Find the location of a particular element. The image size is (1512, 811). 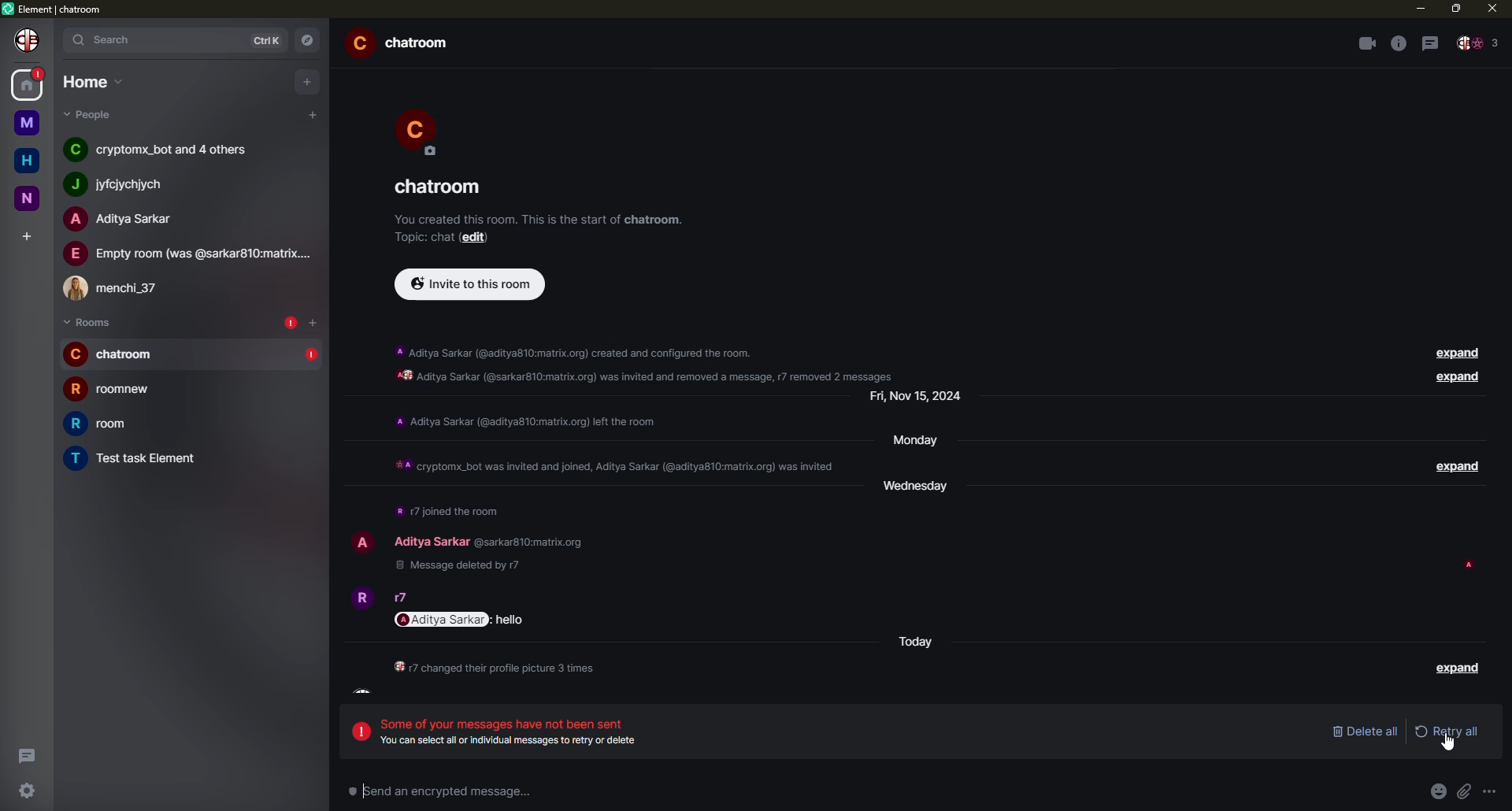

options is located at coordinates (1497, 791).